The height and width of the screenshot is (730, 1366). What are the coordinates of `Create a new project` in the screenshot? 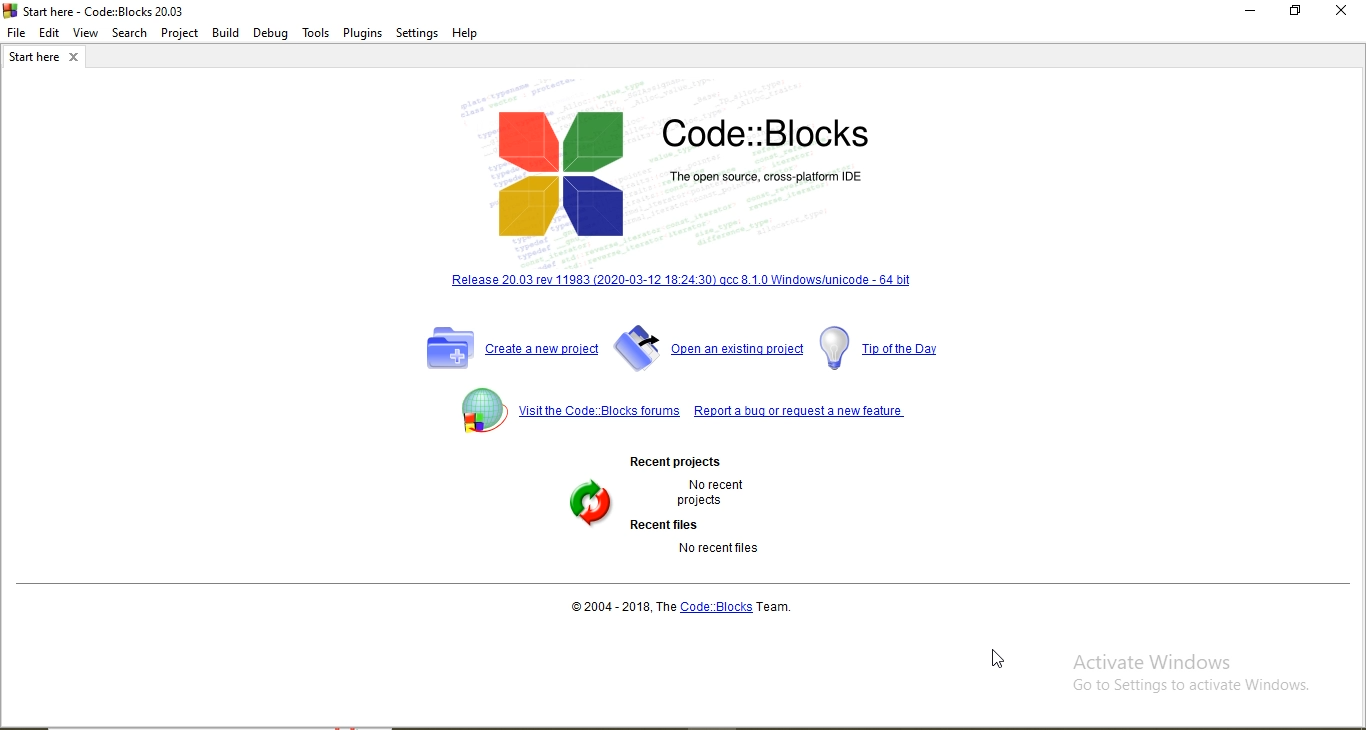 It's located at (511, 349).